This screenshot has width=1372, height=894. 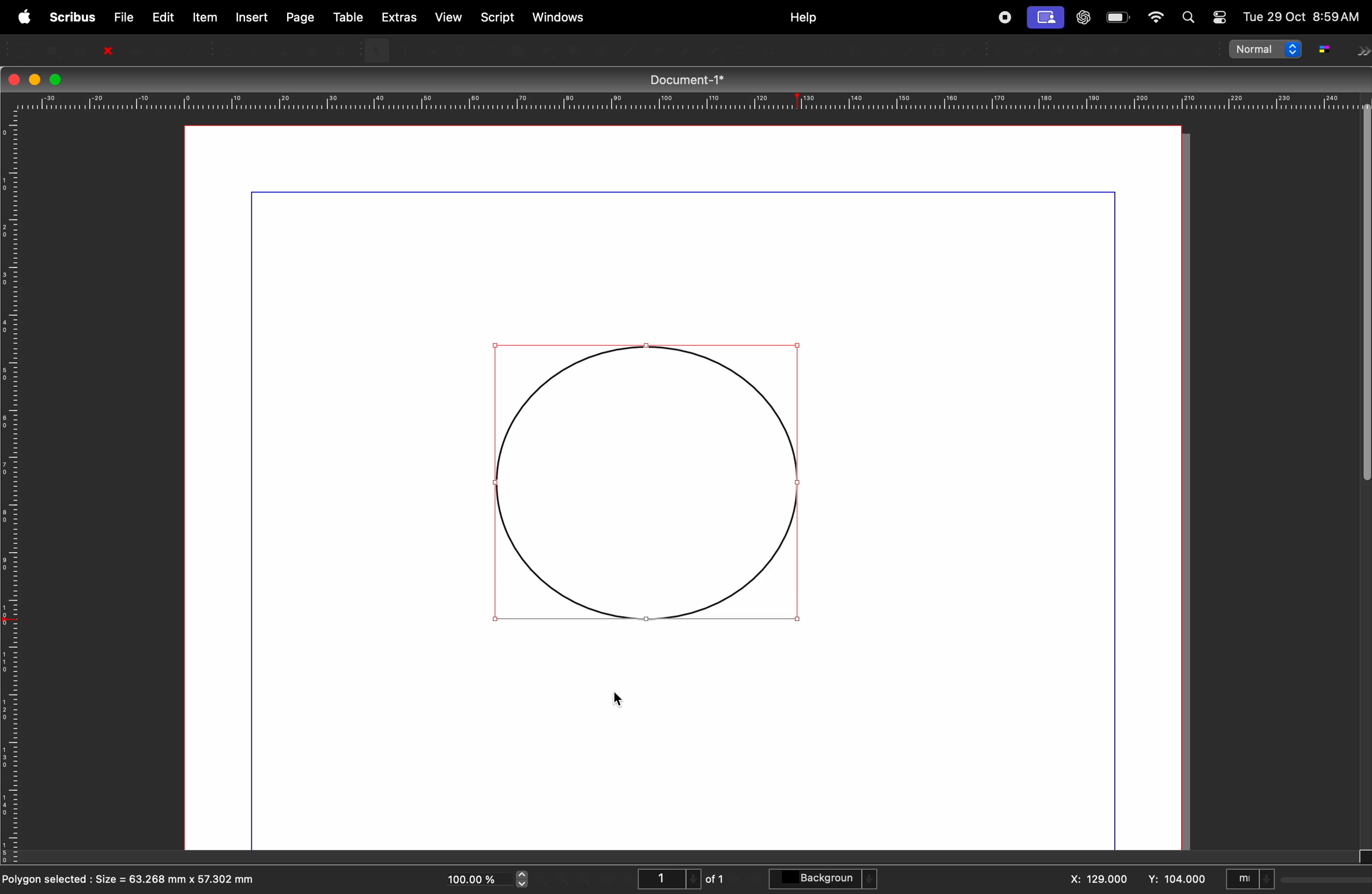 I want to click on cast, so click(x=1047, y=18).